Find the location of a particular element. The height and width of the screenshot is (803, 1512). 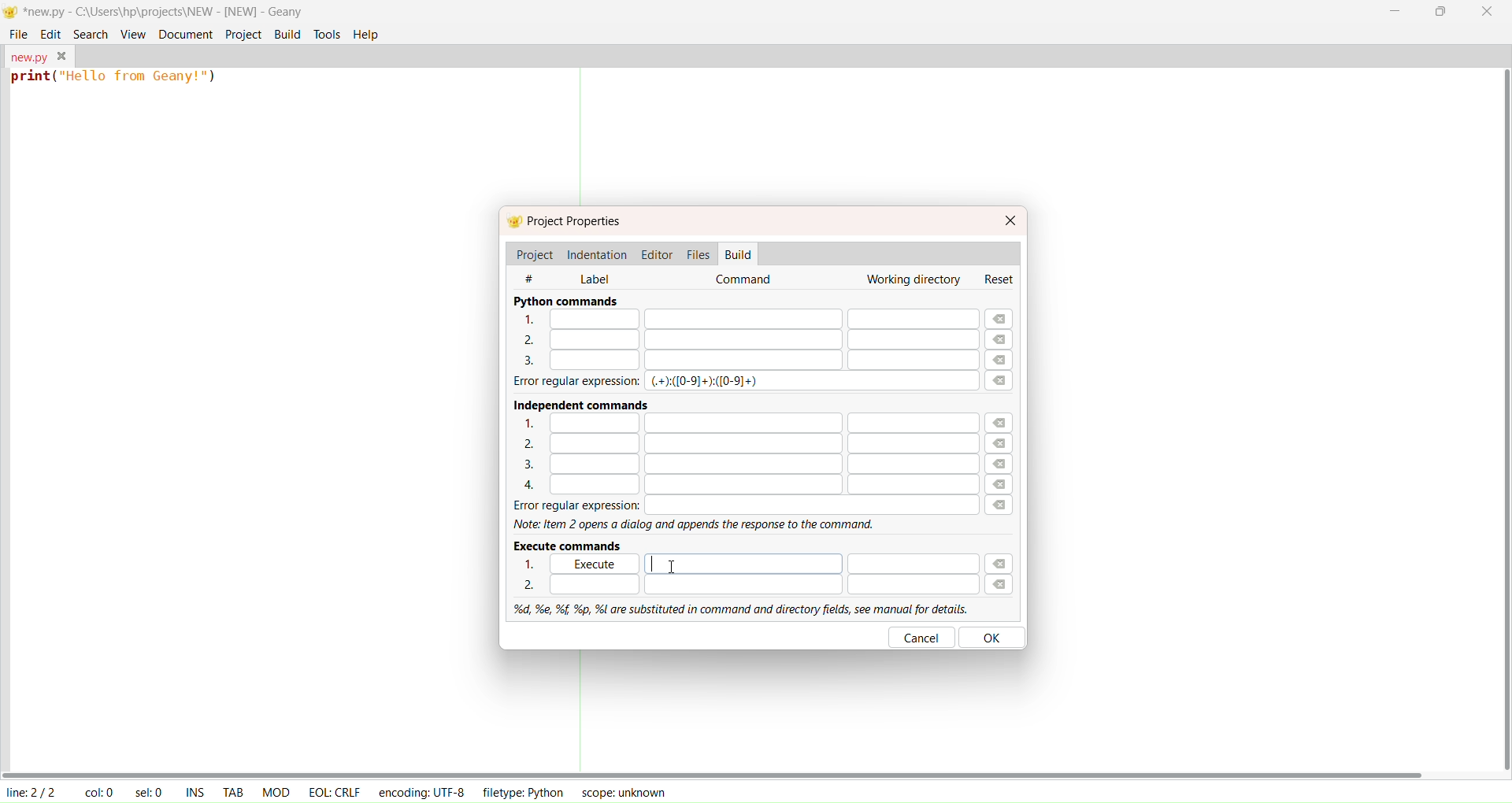

EOL CRLF is located at coordinates (335, 790).